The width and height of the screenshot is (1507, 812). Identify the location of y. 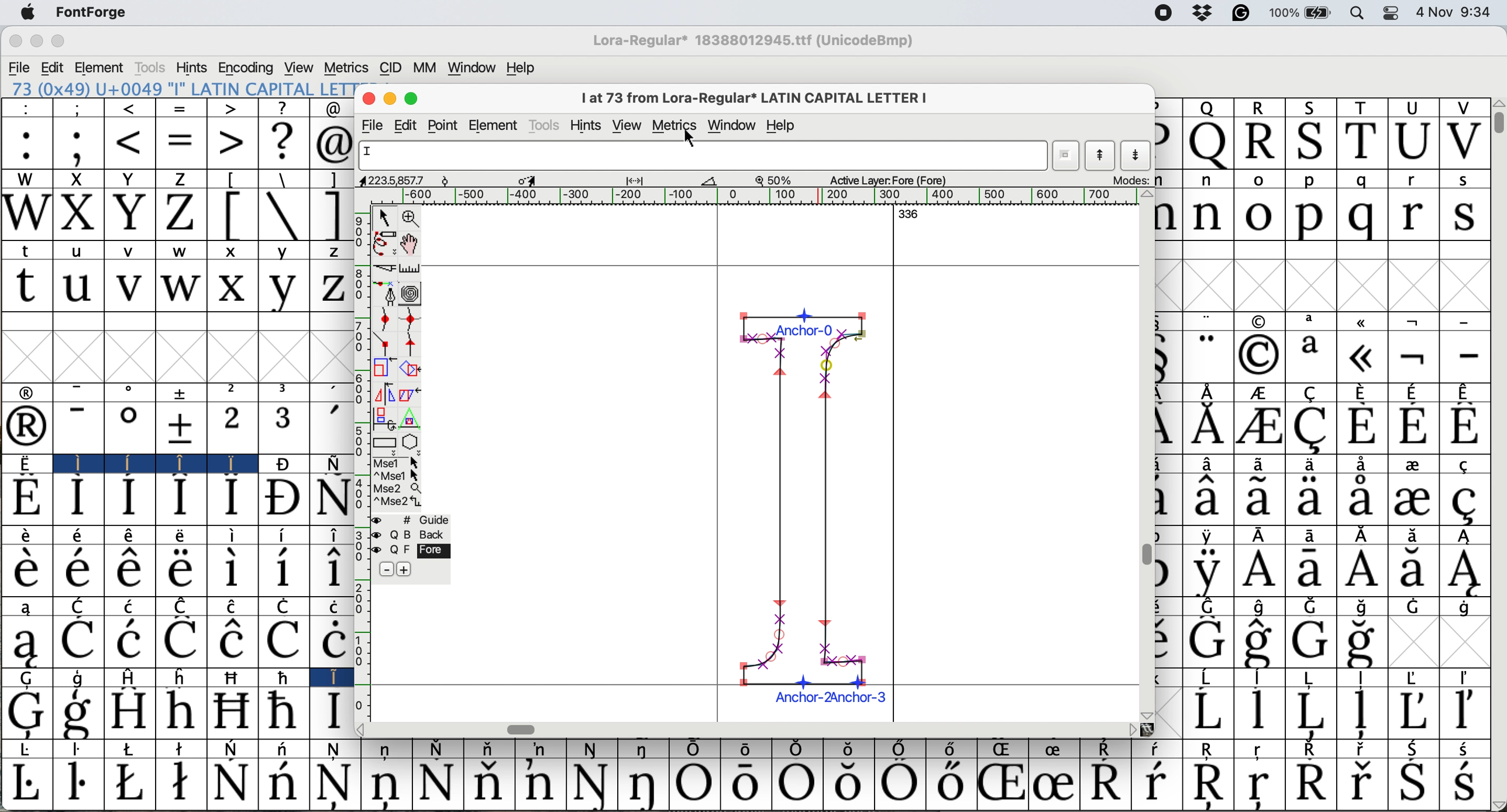
(282, 288).